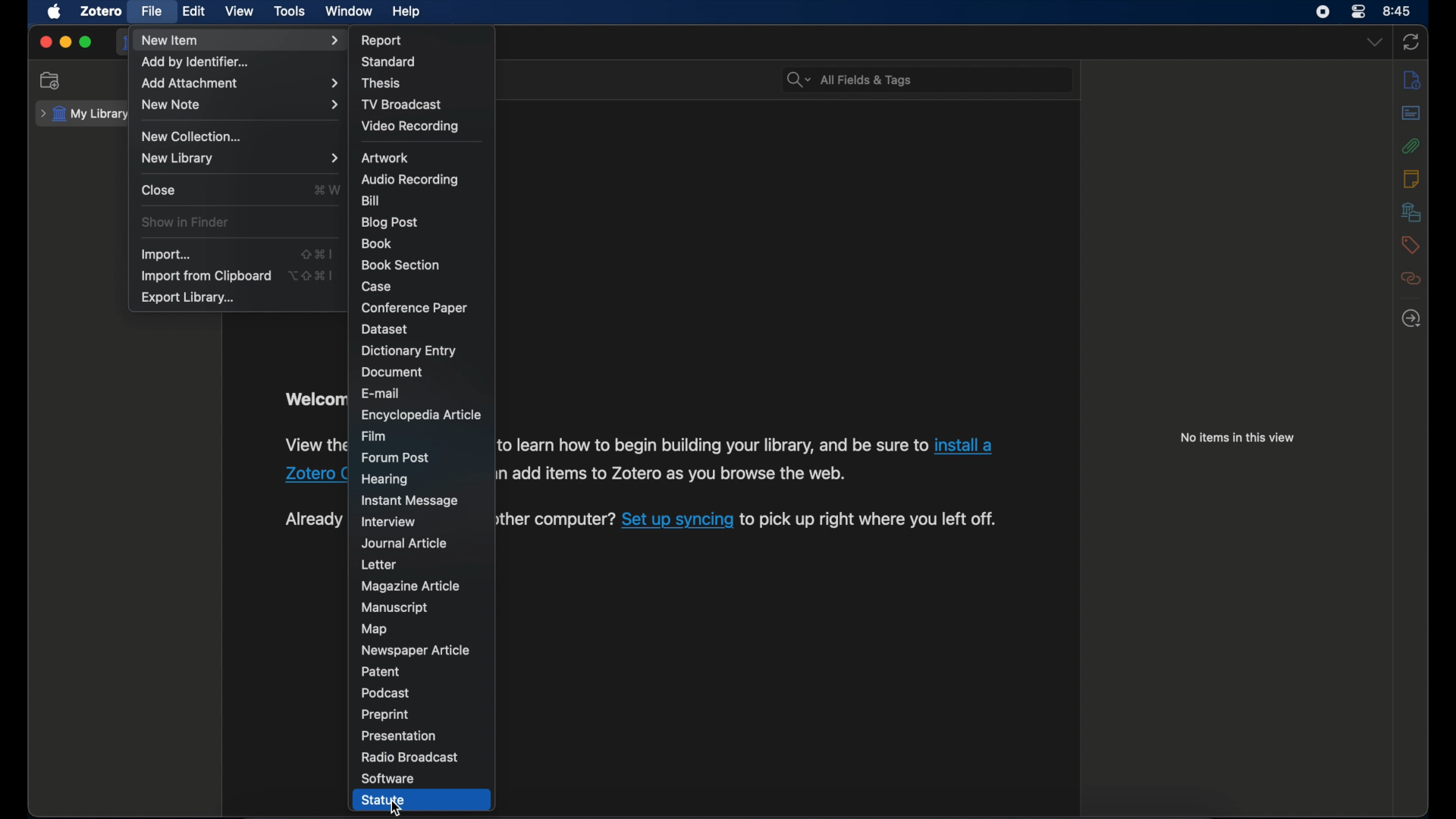  Describe the element at coordinates (1411, 177) in the screenshot. I see `notes` at that location.